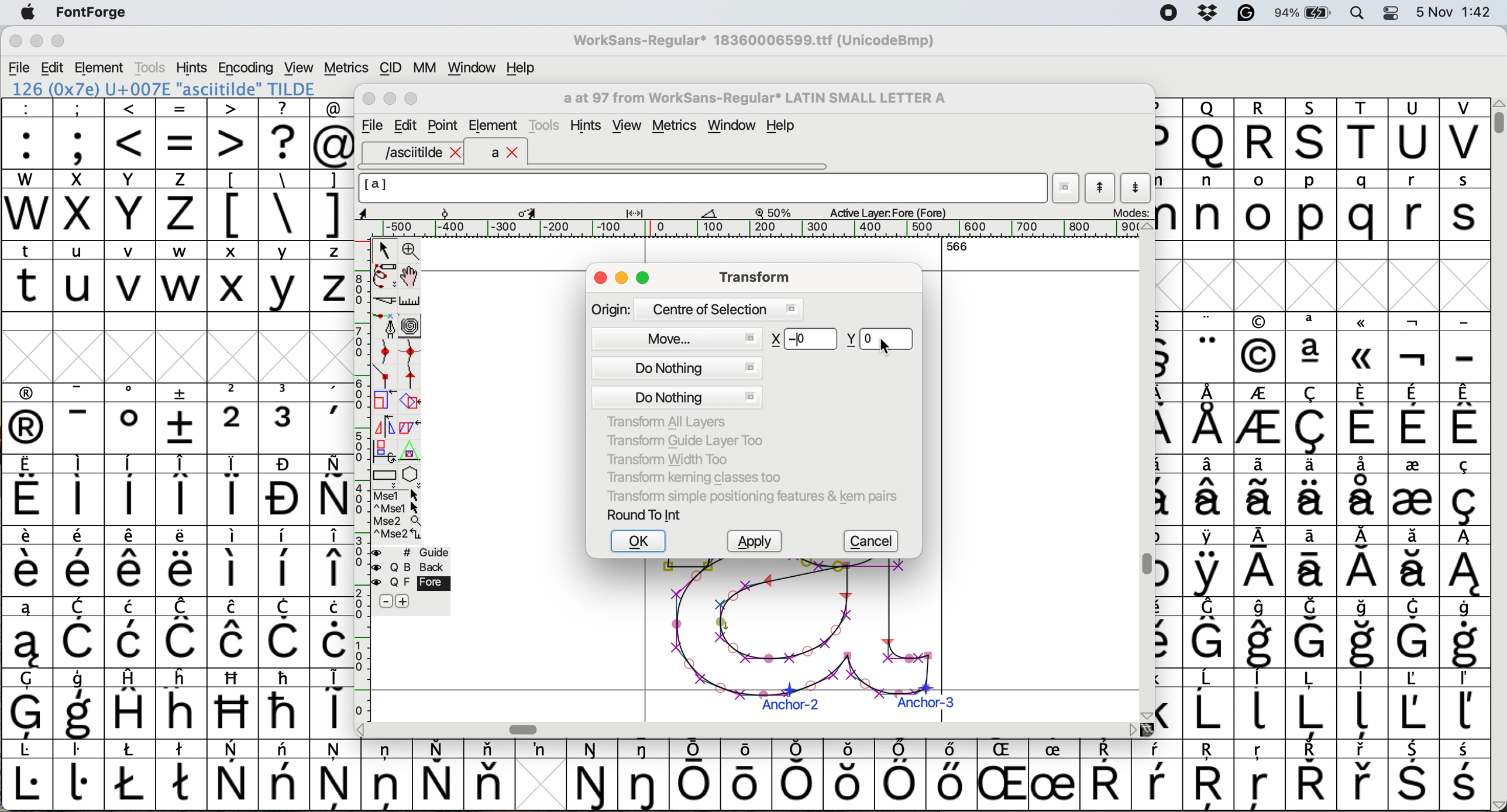  Describe the element at coordinates (391, 99) in the screenshot. I see `Minimise` at that location.